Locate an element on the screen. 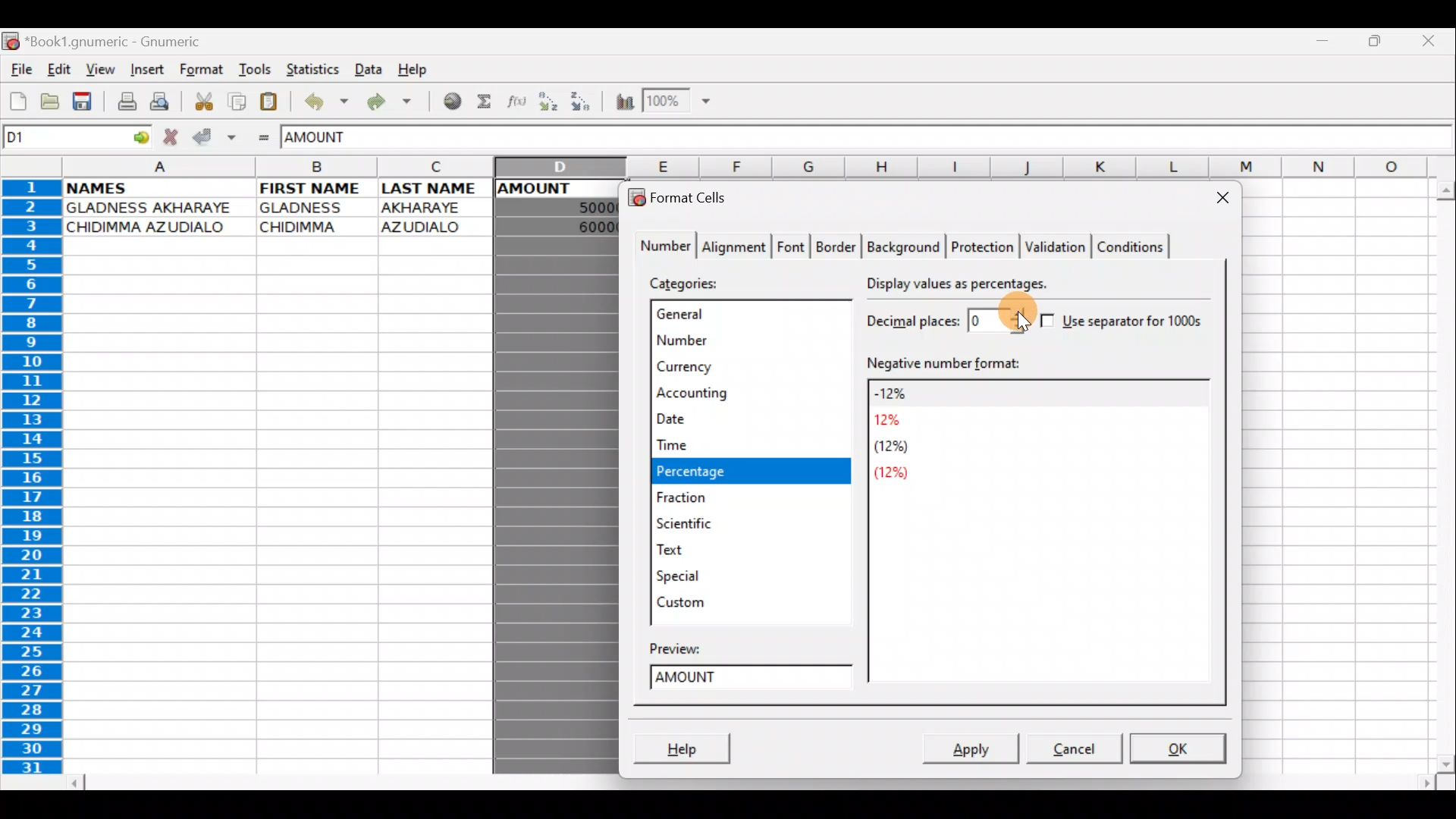 The image size is (1456, 819). Time is located at coordinates (714, 446).